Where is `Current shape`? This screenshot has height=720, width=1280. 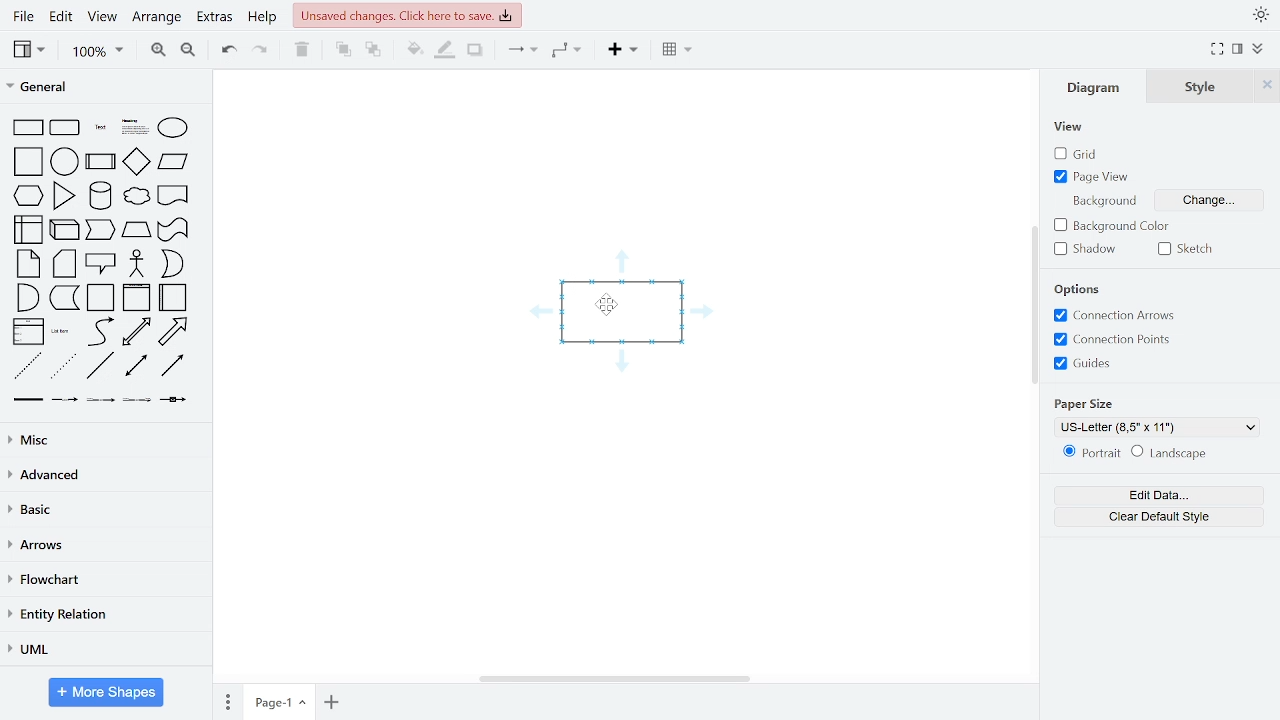
Current shape is located at coordinates (624, 312).